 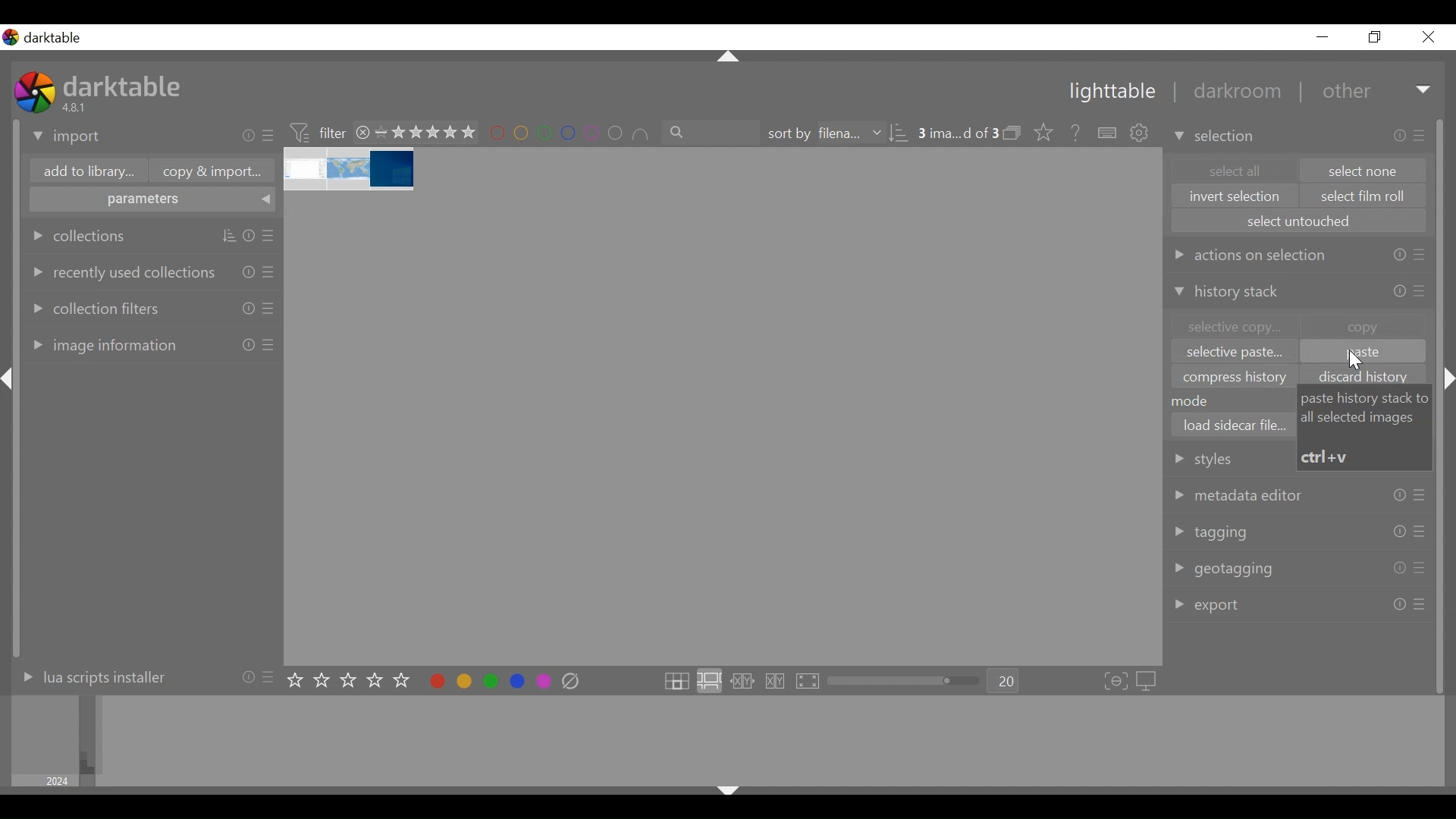 I want to click on info, so click(x=1399, y=496).